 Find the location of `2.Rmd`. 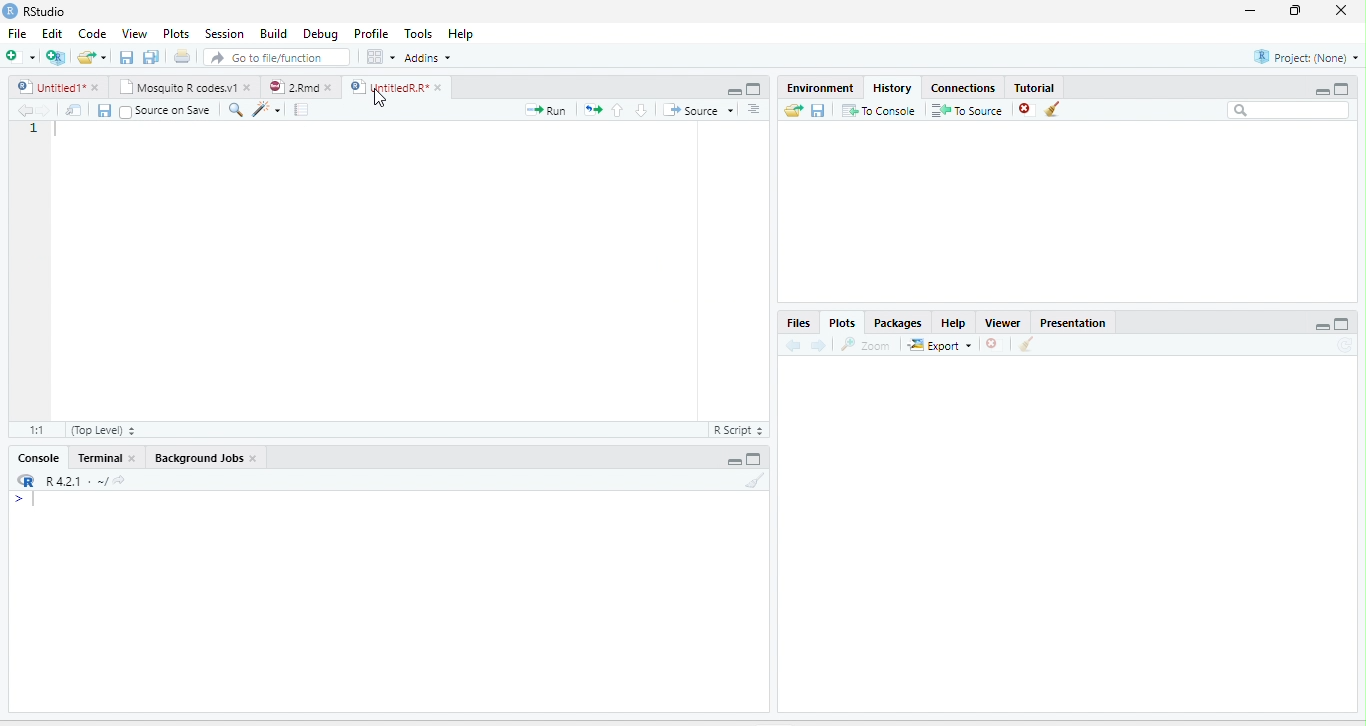

2.Rmd is located at coordinates (291, 87).